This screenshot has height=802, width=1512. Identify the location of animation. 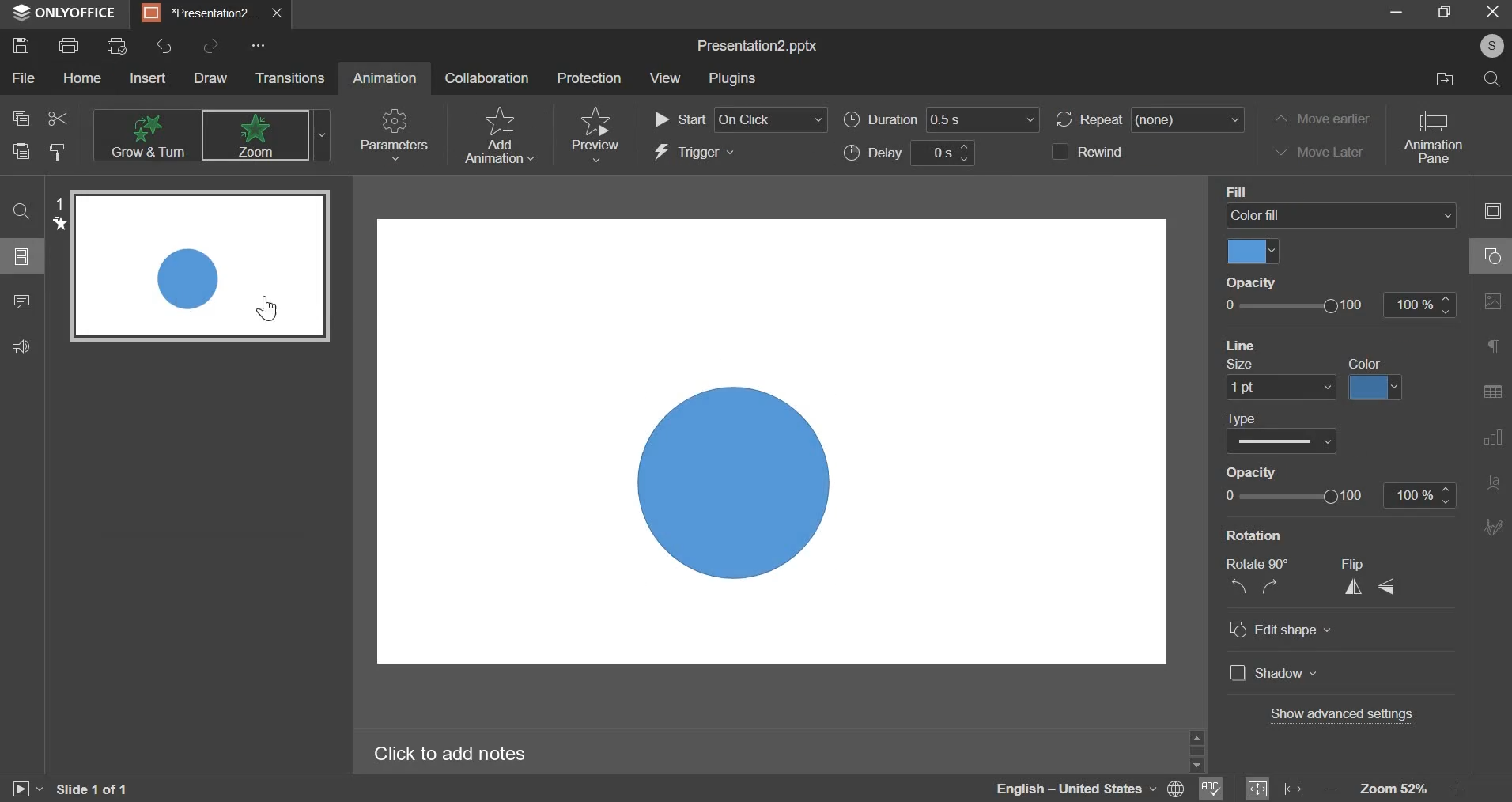
(385, 75).